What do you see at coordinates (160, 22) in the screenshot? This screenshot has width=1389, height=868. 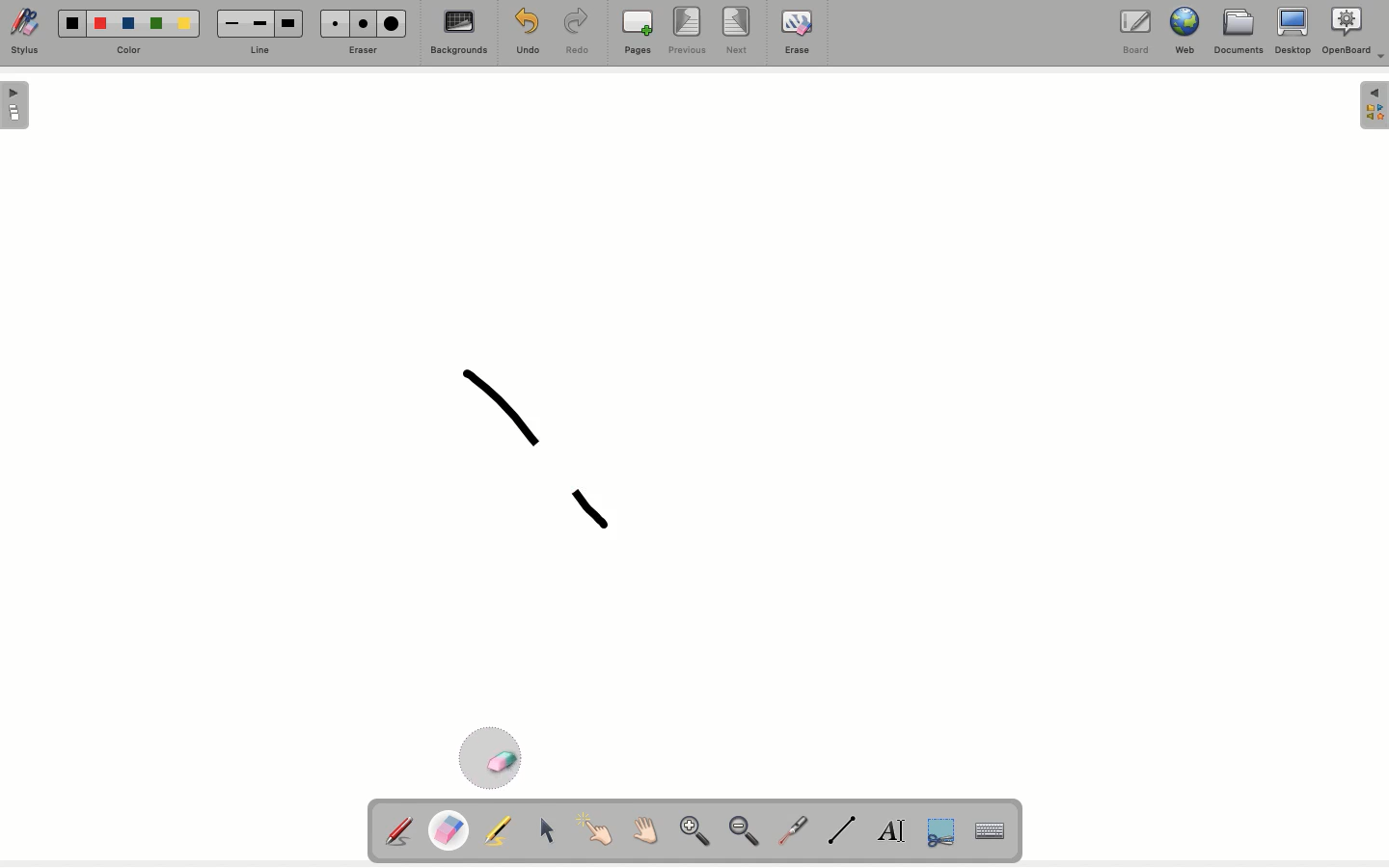 I see `Green` at bounding box center [160, 22].